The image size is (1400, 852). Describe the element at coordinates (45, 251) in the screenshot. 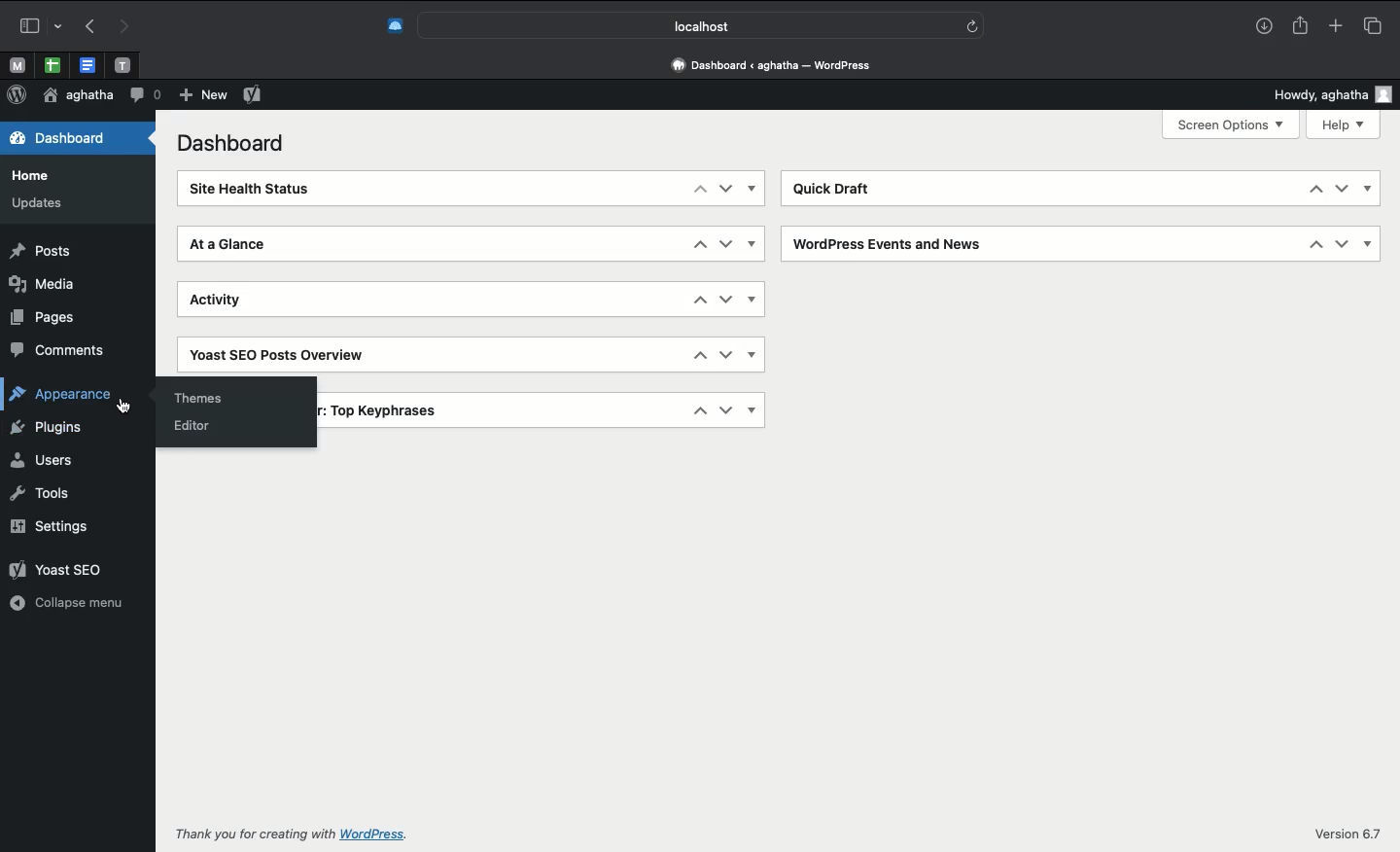

I see `Posts` at that location.